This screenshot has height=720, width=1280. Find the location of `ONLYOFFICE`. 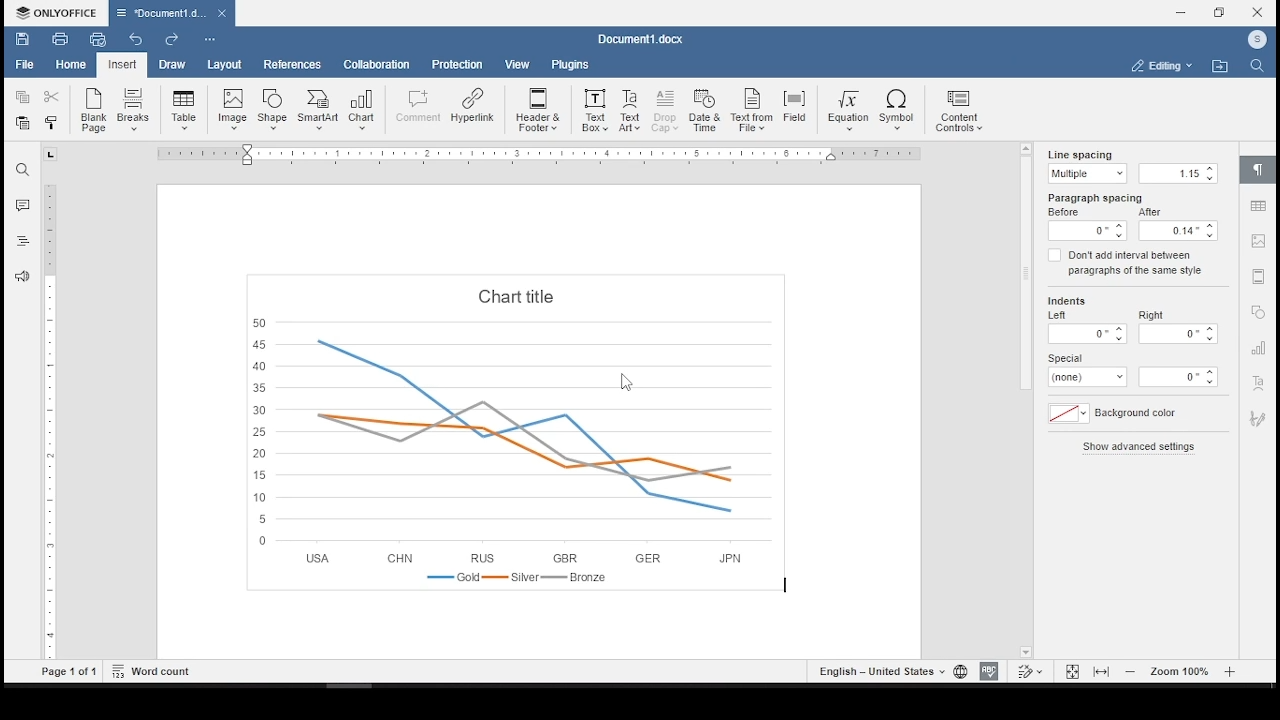

ONLYOFFICE is located at coordinates (56, 11).